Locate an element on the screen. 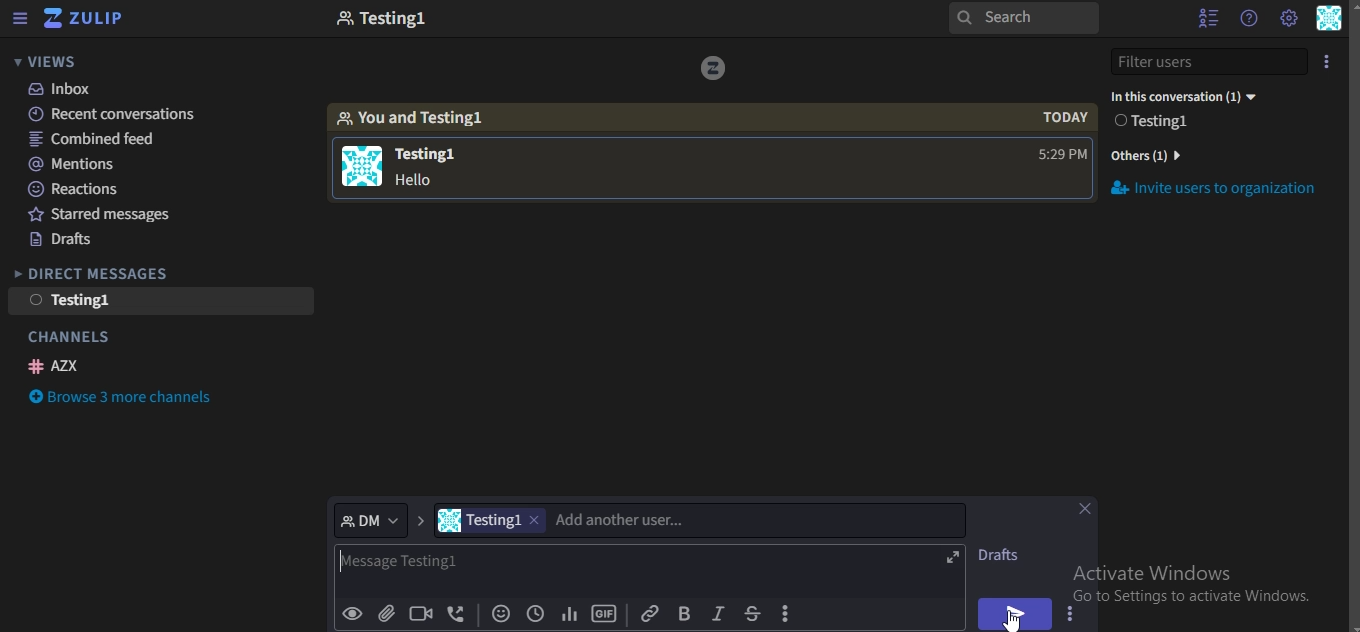 The height and width of the screenshot is (632, 1360). inbox is located at coordinates (67, 89).